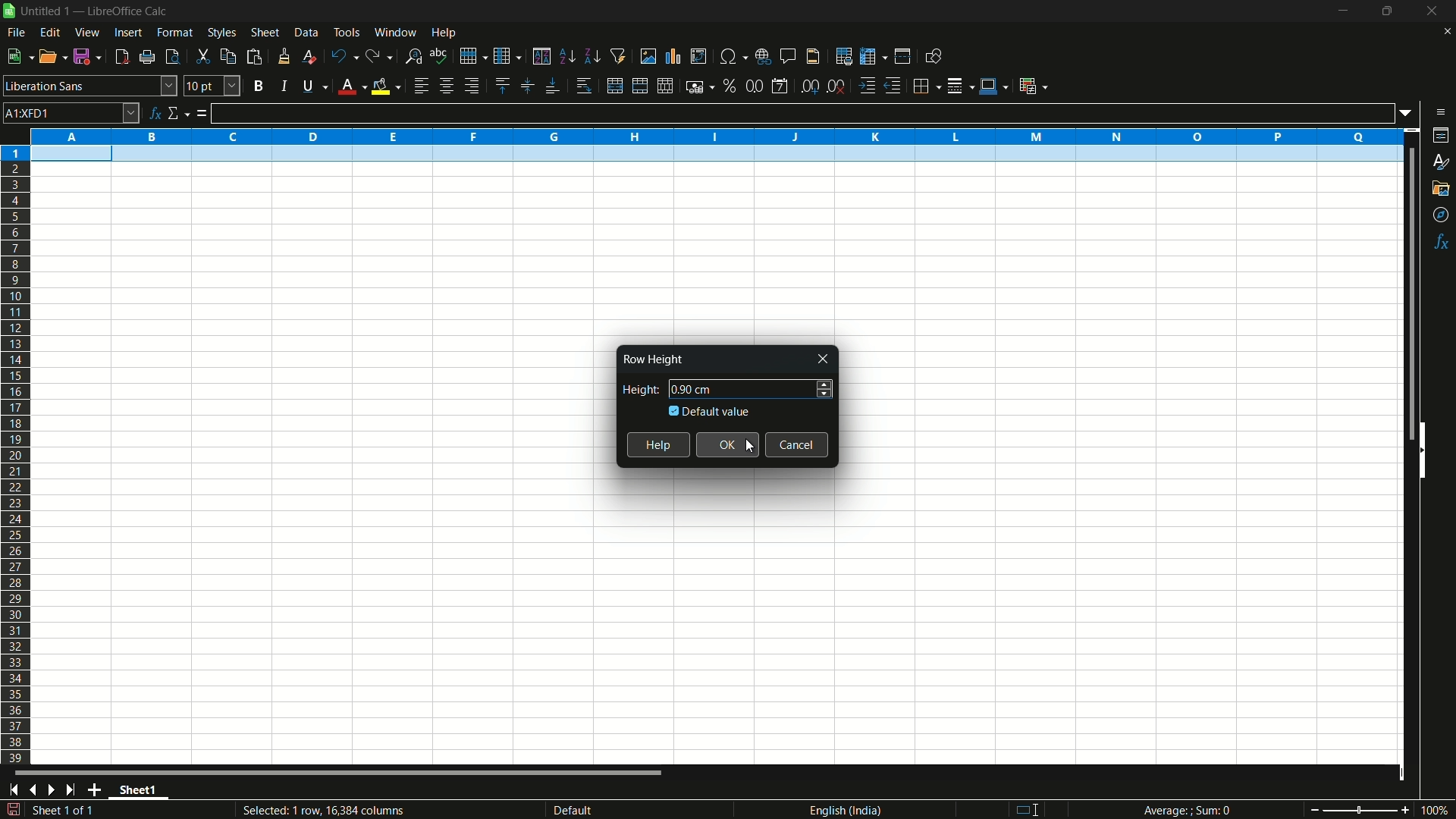 The height and width of the screenshot is (819, 1456). I want to click on sidebar settings, so click(1440, 112).